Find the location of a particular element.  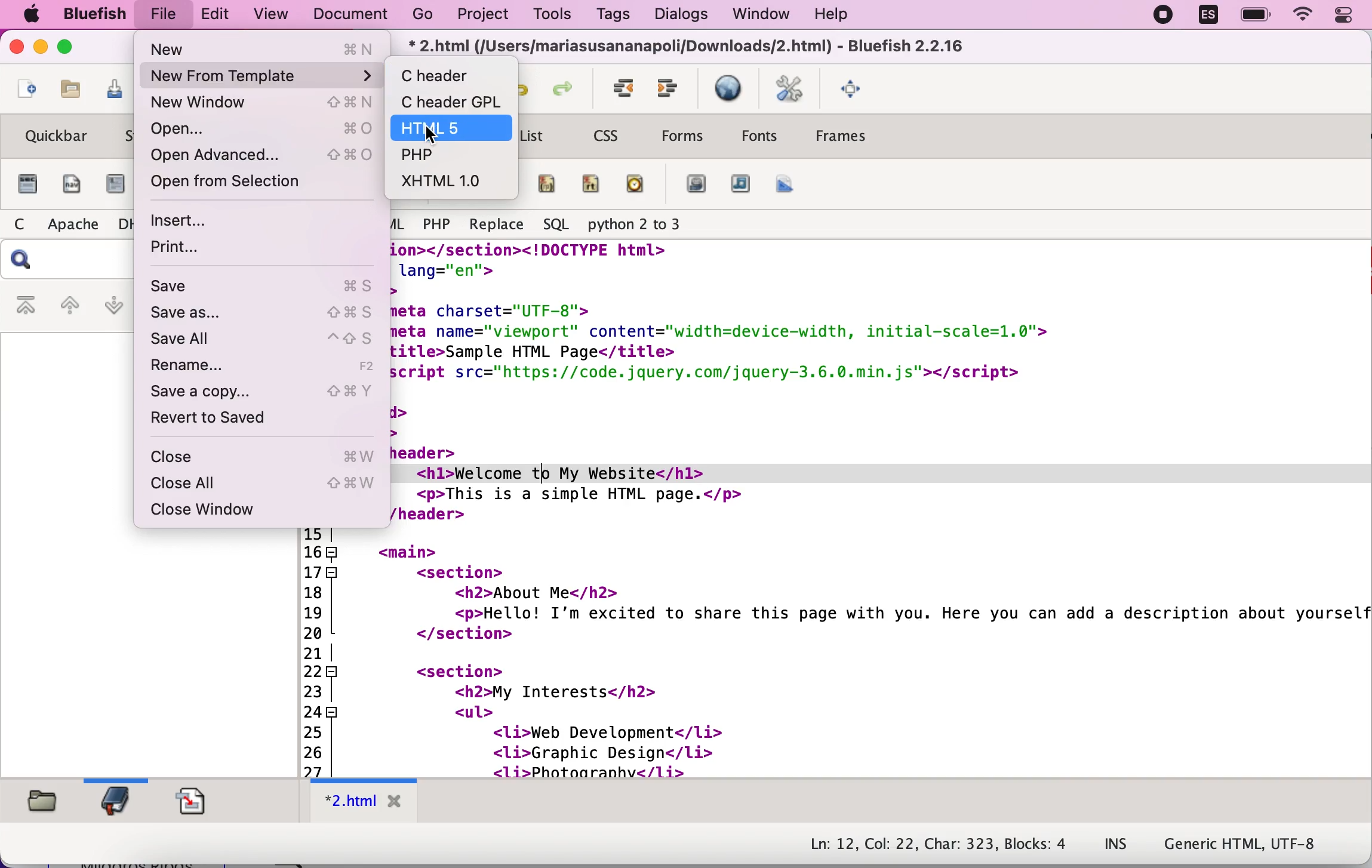

Bluefish is located at coordinates (94, 14).